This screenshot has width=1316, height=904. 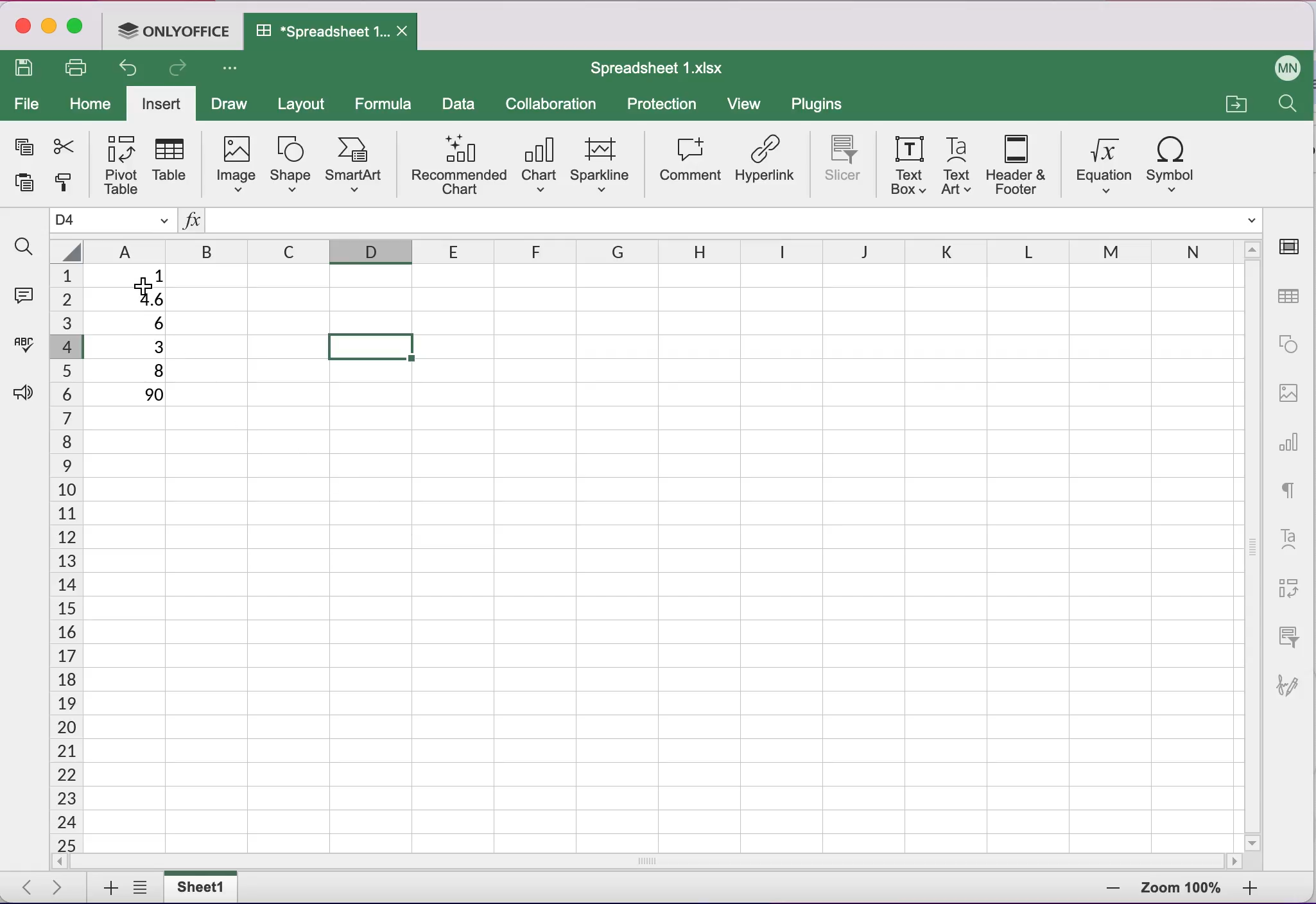 I want to click on cut, so click(x=62, y=146).